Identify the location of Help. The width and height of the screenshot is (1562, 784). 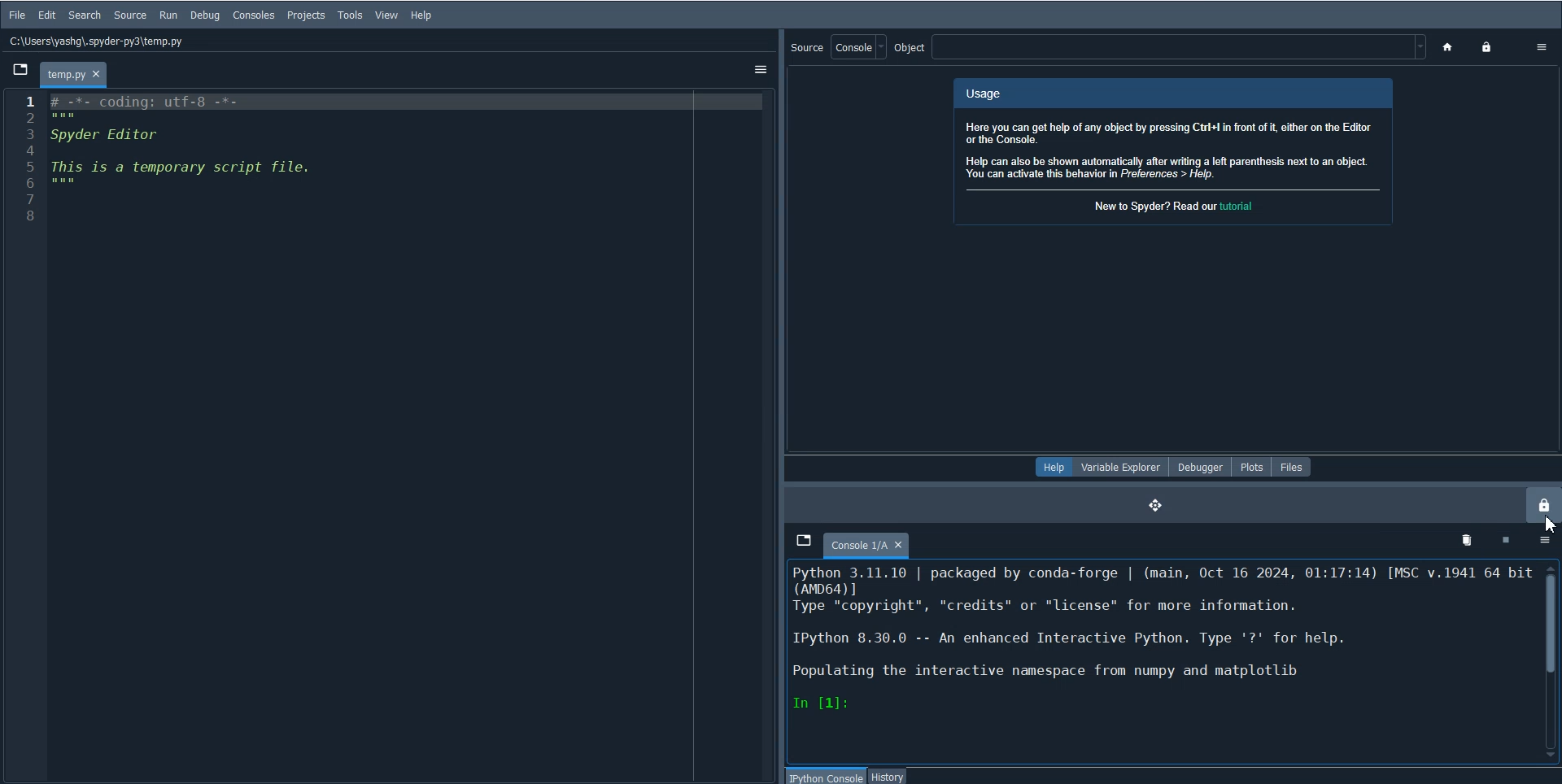
(421, 15).